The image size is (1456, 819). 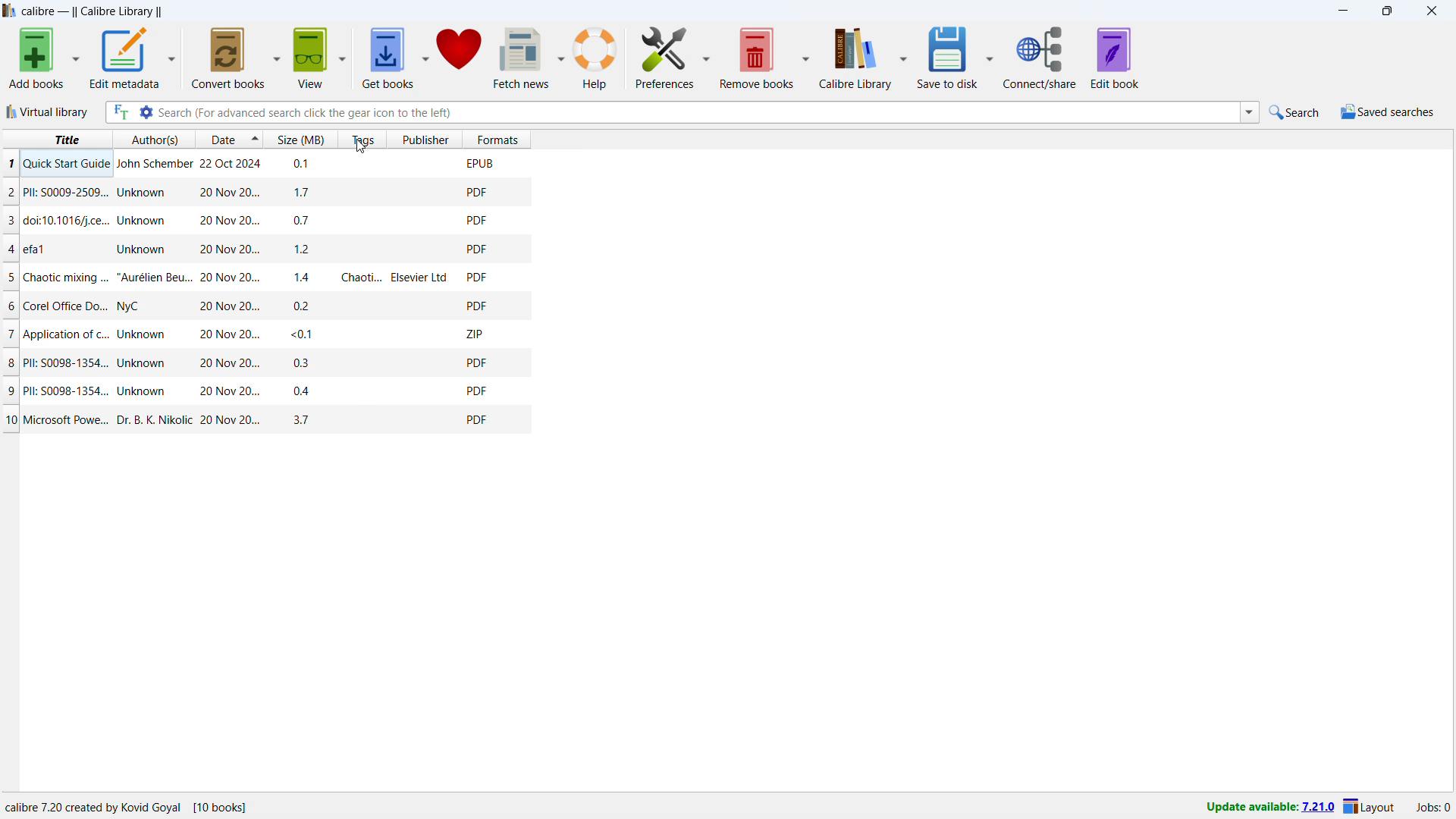 I want to click on quick search, so click(x=1295, y=111).